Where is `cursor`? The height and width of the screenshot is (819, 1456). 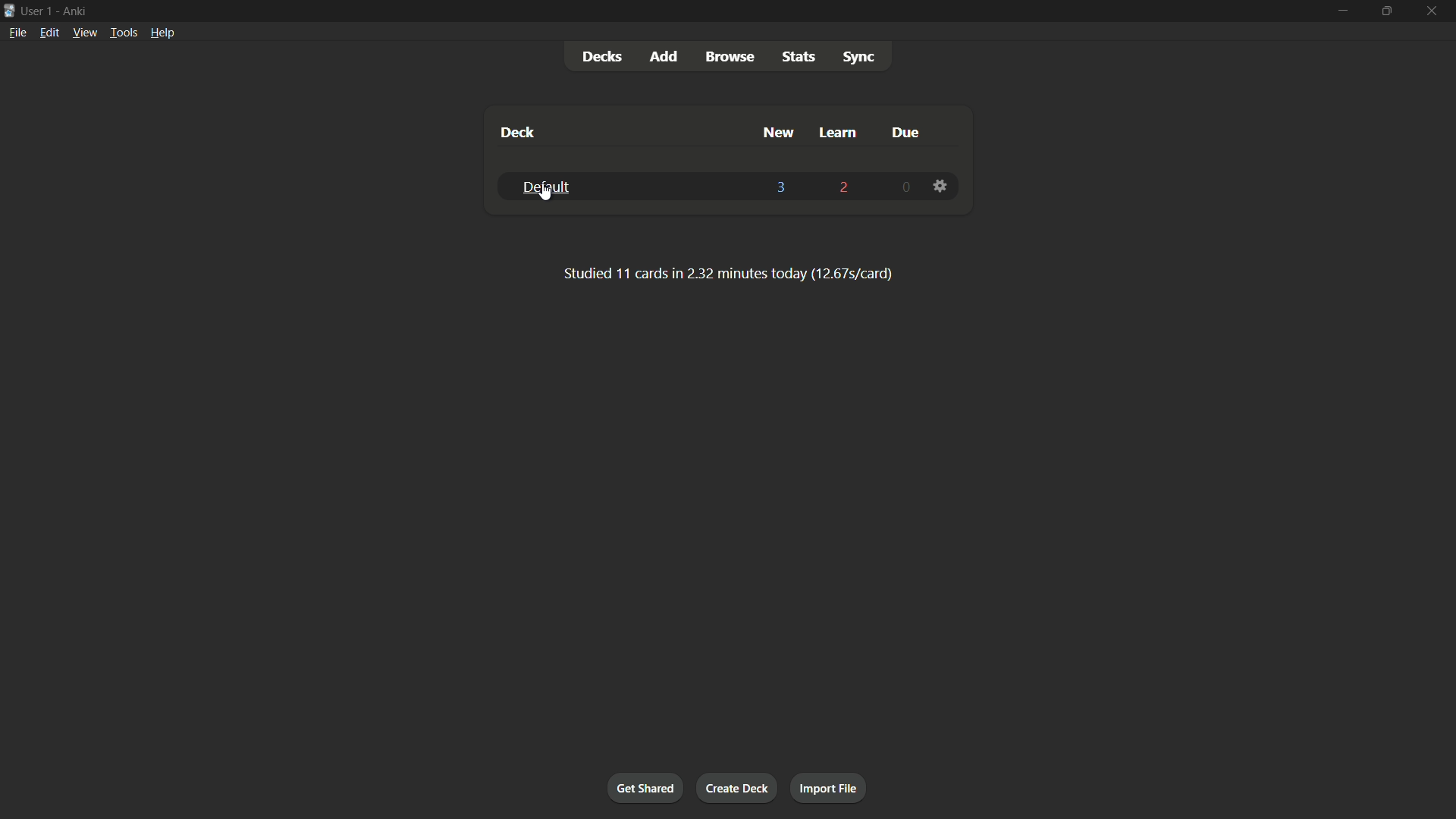 cursor is located at coordinates (546, 196).